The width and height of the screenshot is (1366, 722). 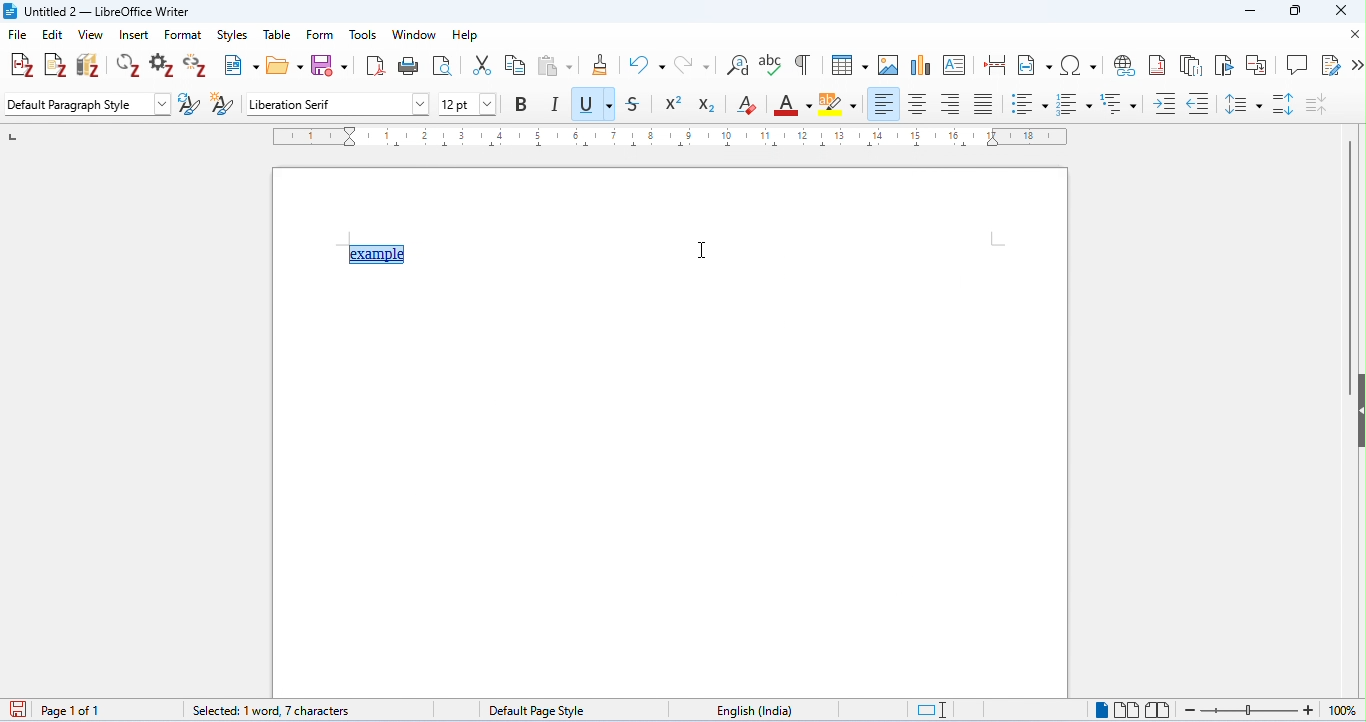 I want to click on print, so click(x=406, y=66).